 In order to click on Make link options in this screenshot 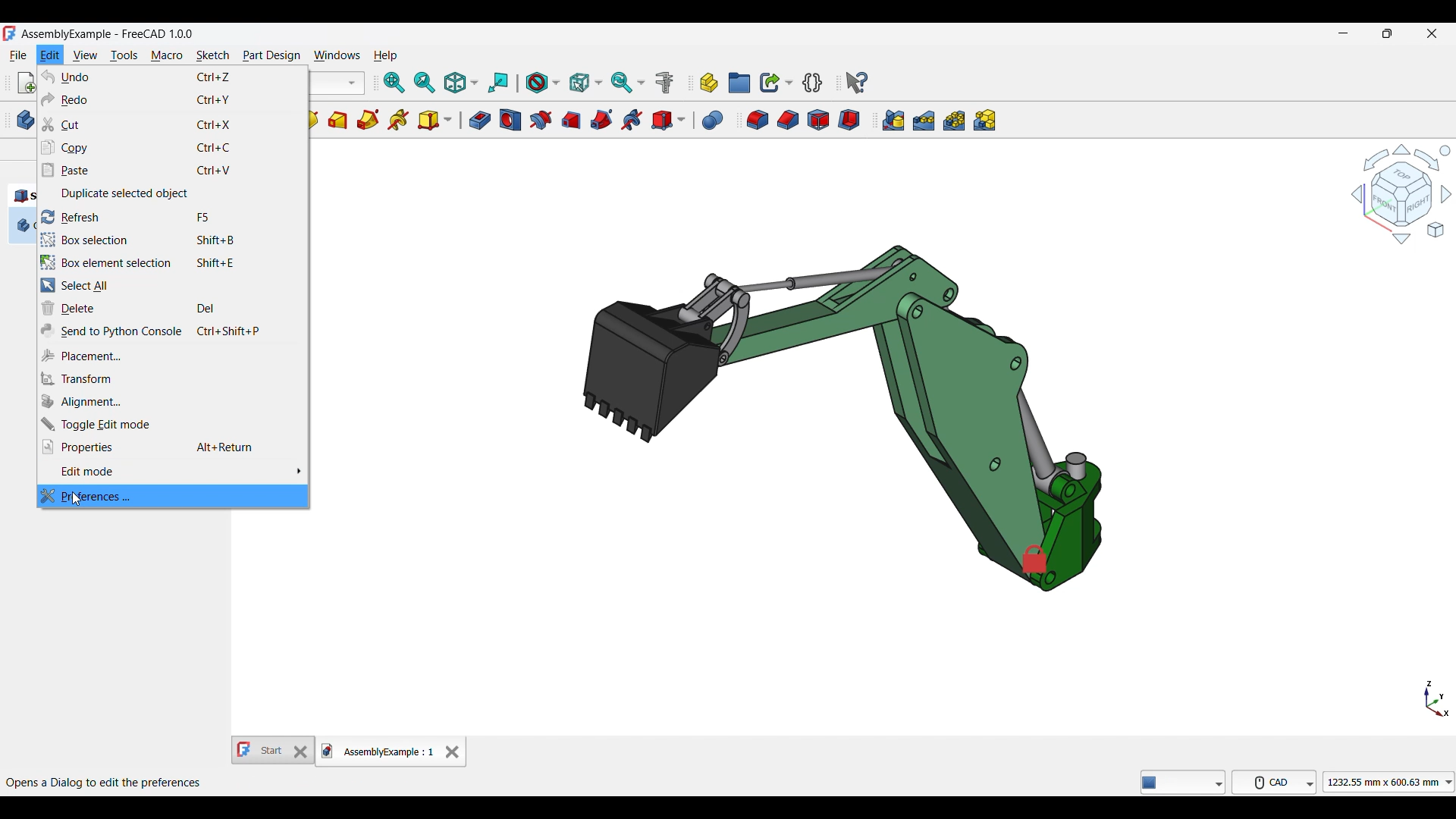, I will do `click(776, 83)`.